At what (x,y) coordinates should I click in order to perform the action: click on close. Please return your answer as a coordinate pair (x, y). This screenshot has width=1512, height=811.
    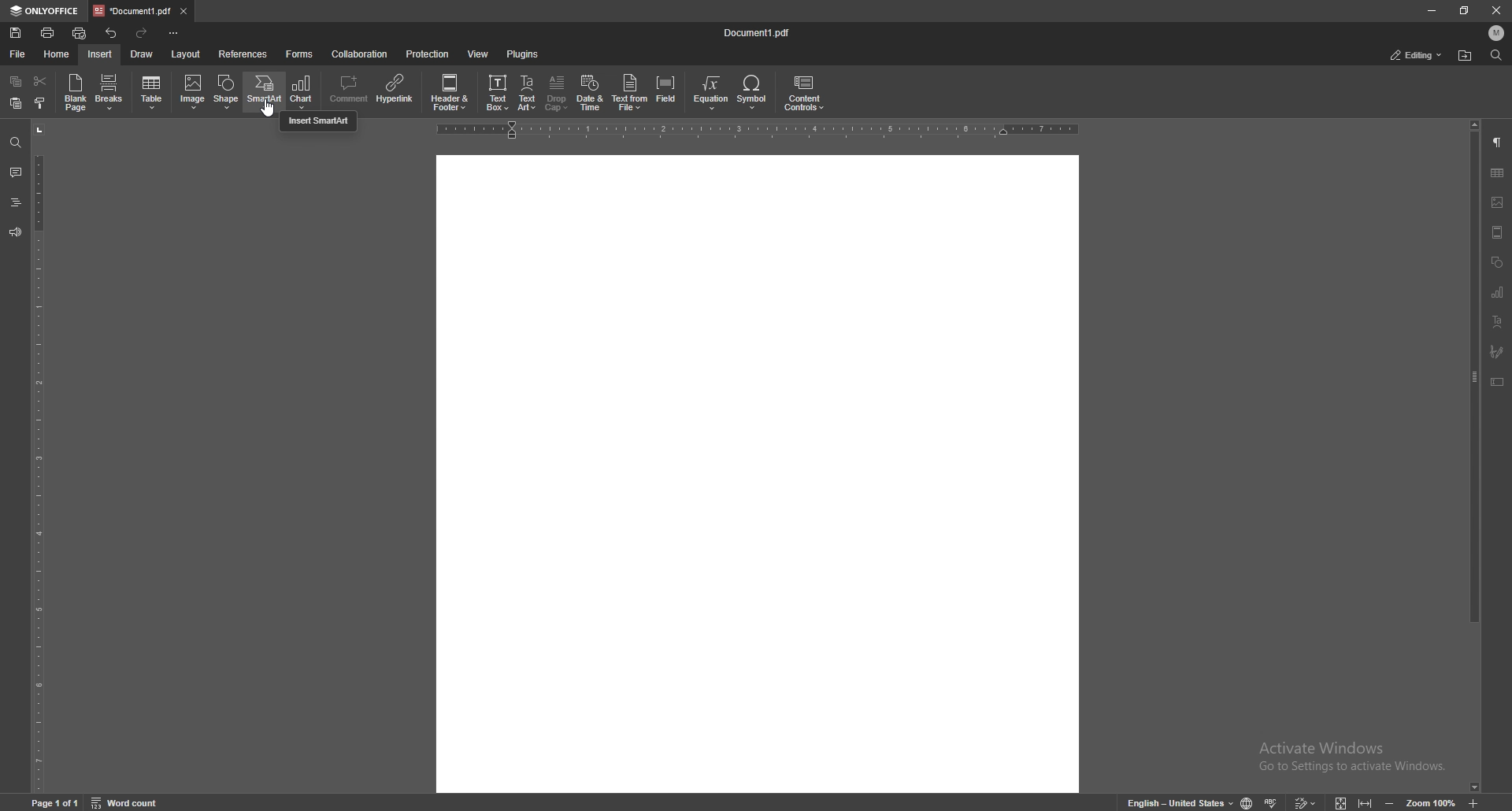
    Looking at the image, I should click on (1495, 10).